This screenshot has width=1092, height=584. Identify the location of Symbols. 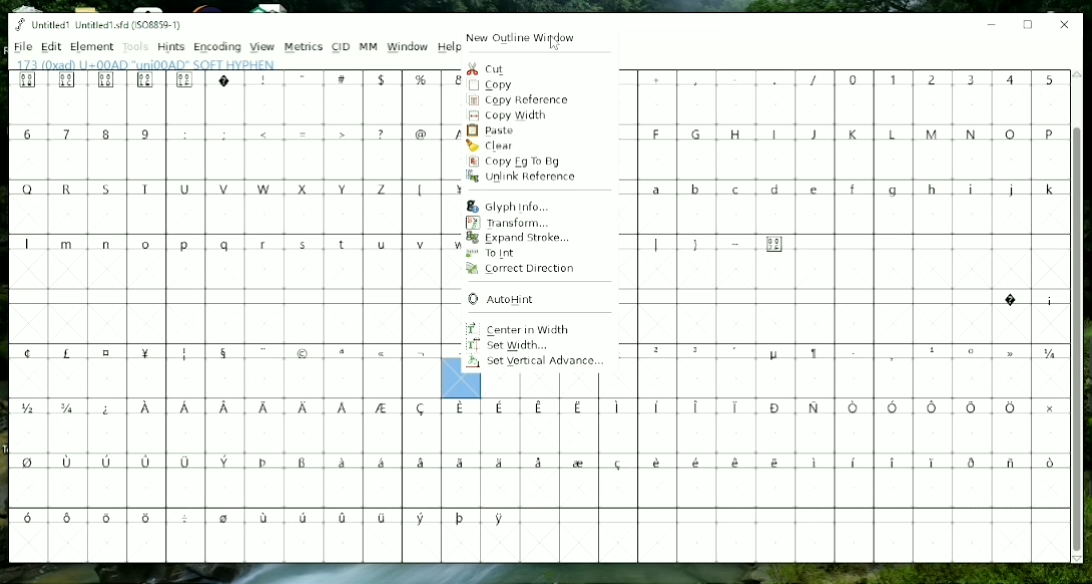
(234, 81).